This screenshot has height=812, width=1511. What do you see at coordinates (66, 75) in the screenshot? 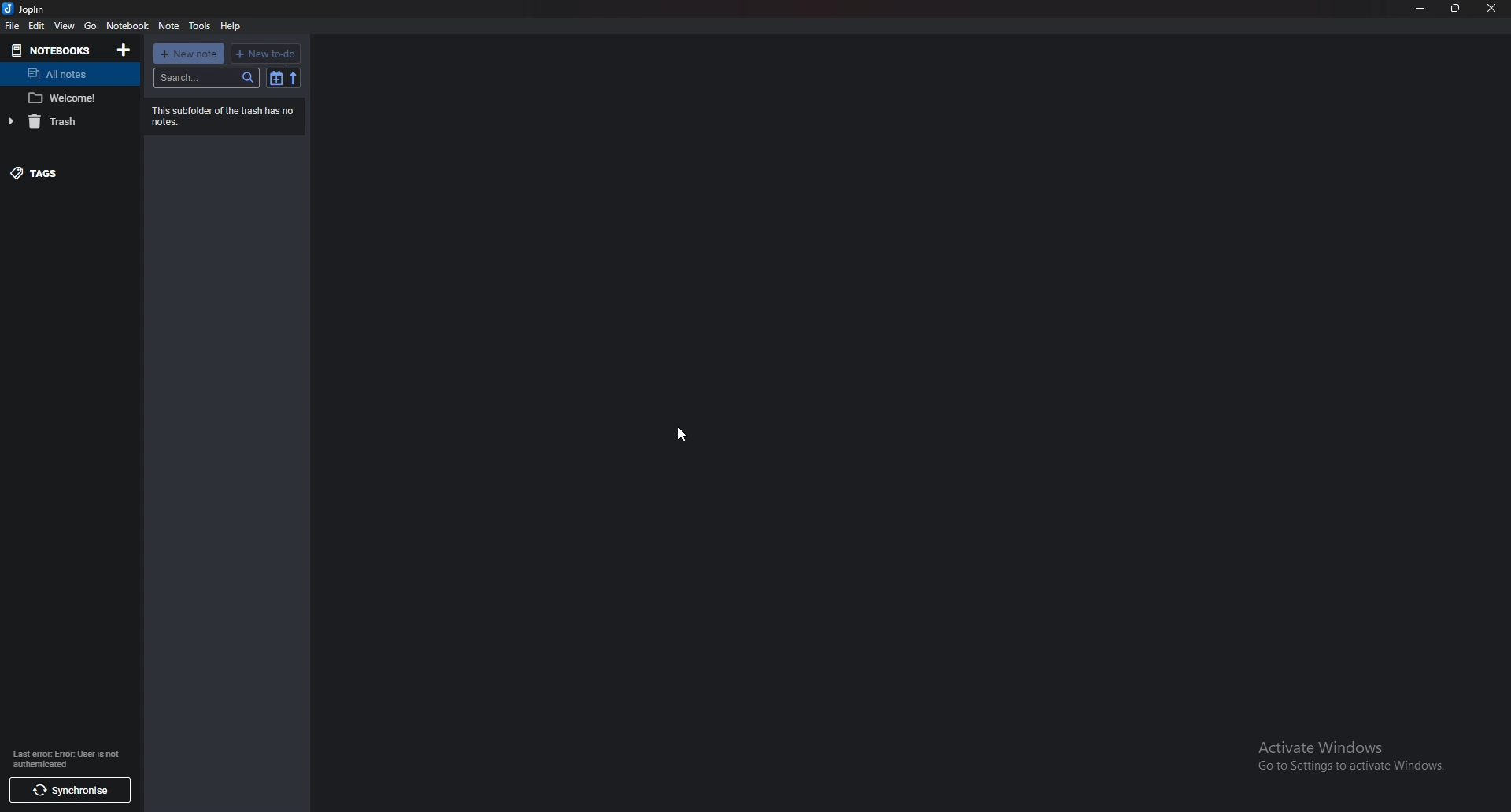
I see `All notes` at bounding box center [66, 75].